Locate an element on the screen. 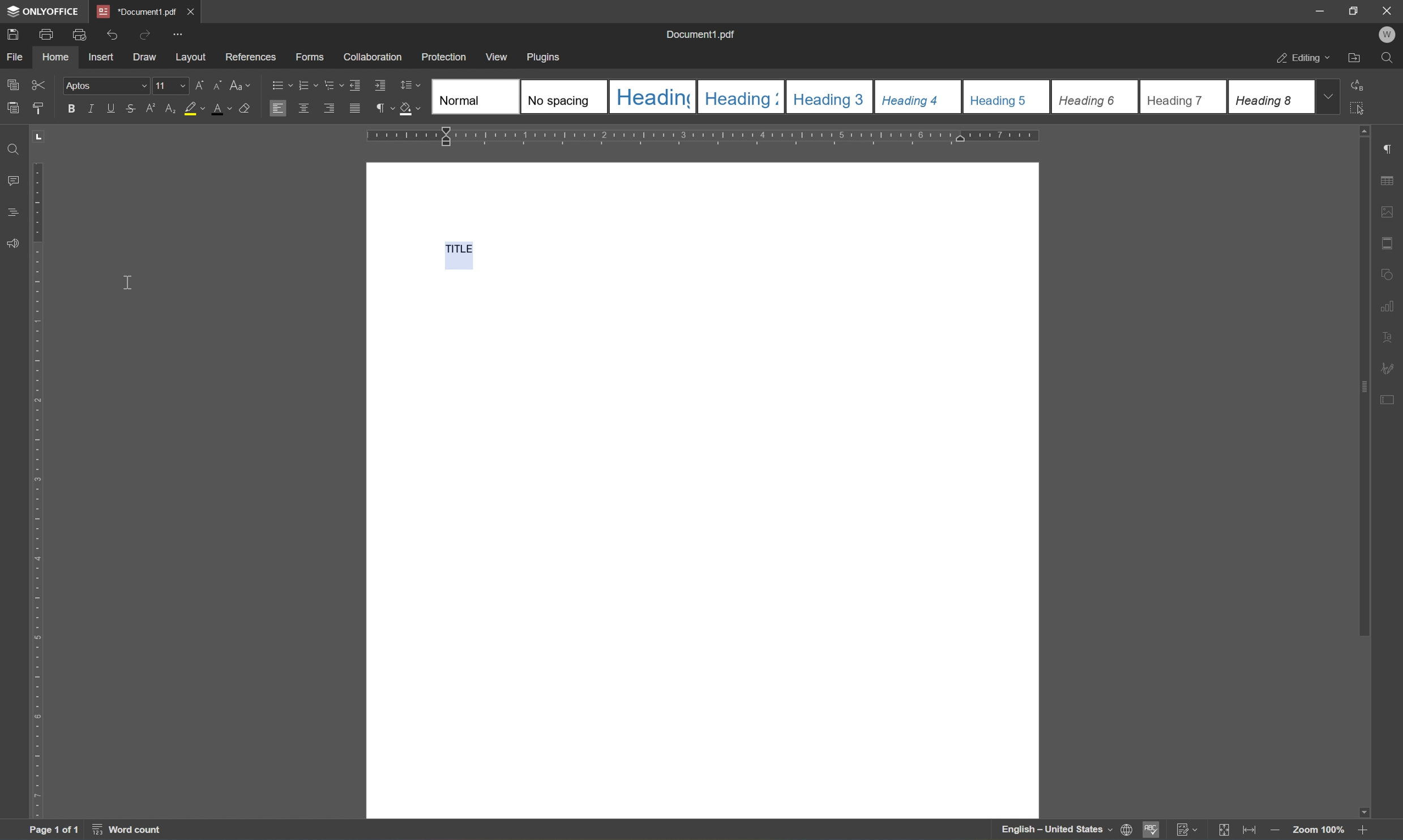  Align Left is located at coordinates (278, 108).